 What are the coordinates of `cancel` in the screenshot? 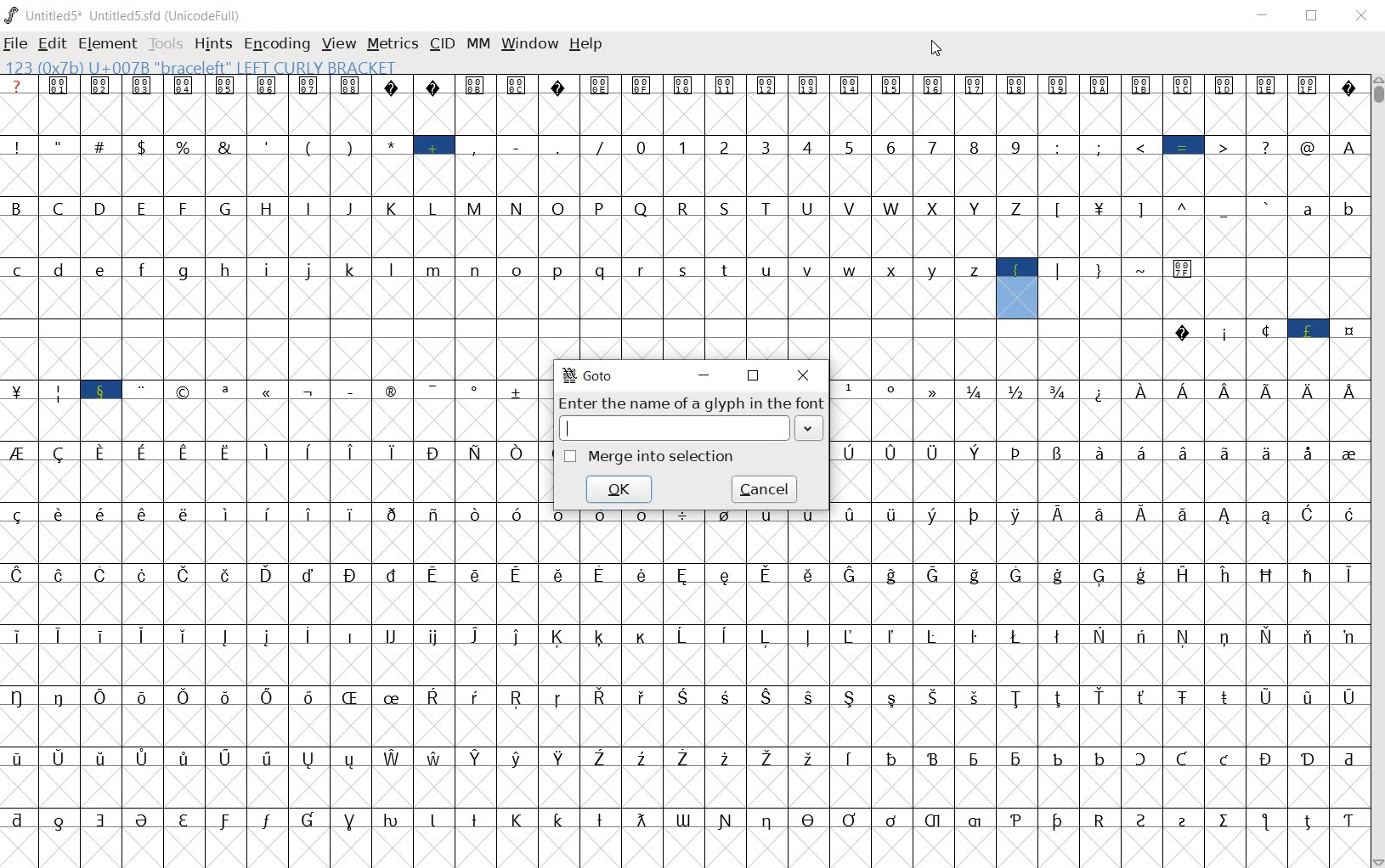 It's located at (769, 488).